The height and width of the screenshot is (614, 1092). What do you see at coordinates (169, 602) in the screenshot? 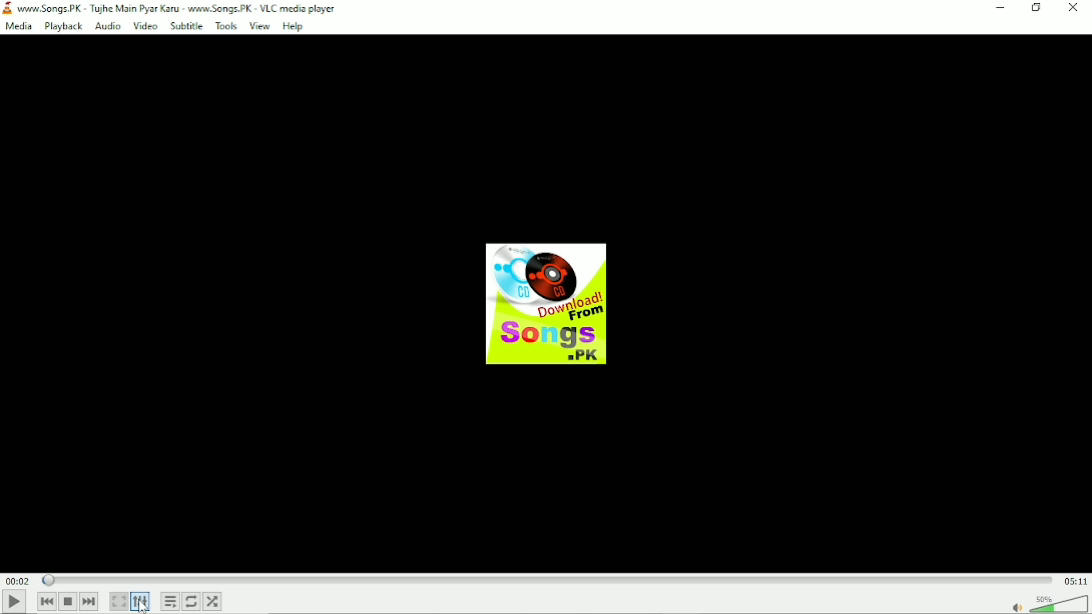
I see `Toggle playlist` at bounding box center [169, 602].